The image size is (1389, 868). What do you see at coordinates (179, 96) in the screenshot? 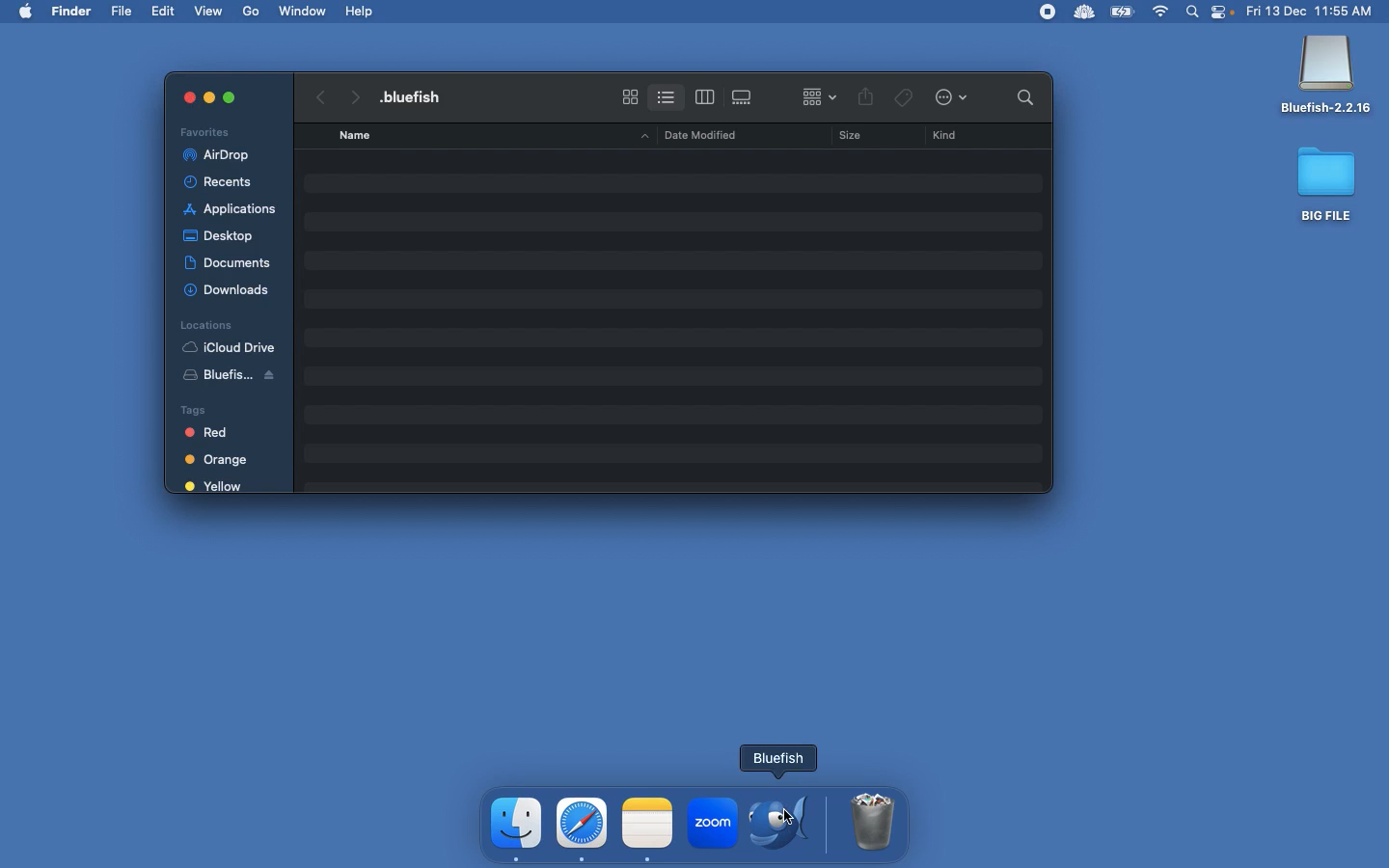
I see `close` at bounding box center [179, 96].